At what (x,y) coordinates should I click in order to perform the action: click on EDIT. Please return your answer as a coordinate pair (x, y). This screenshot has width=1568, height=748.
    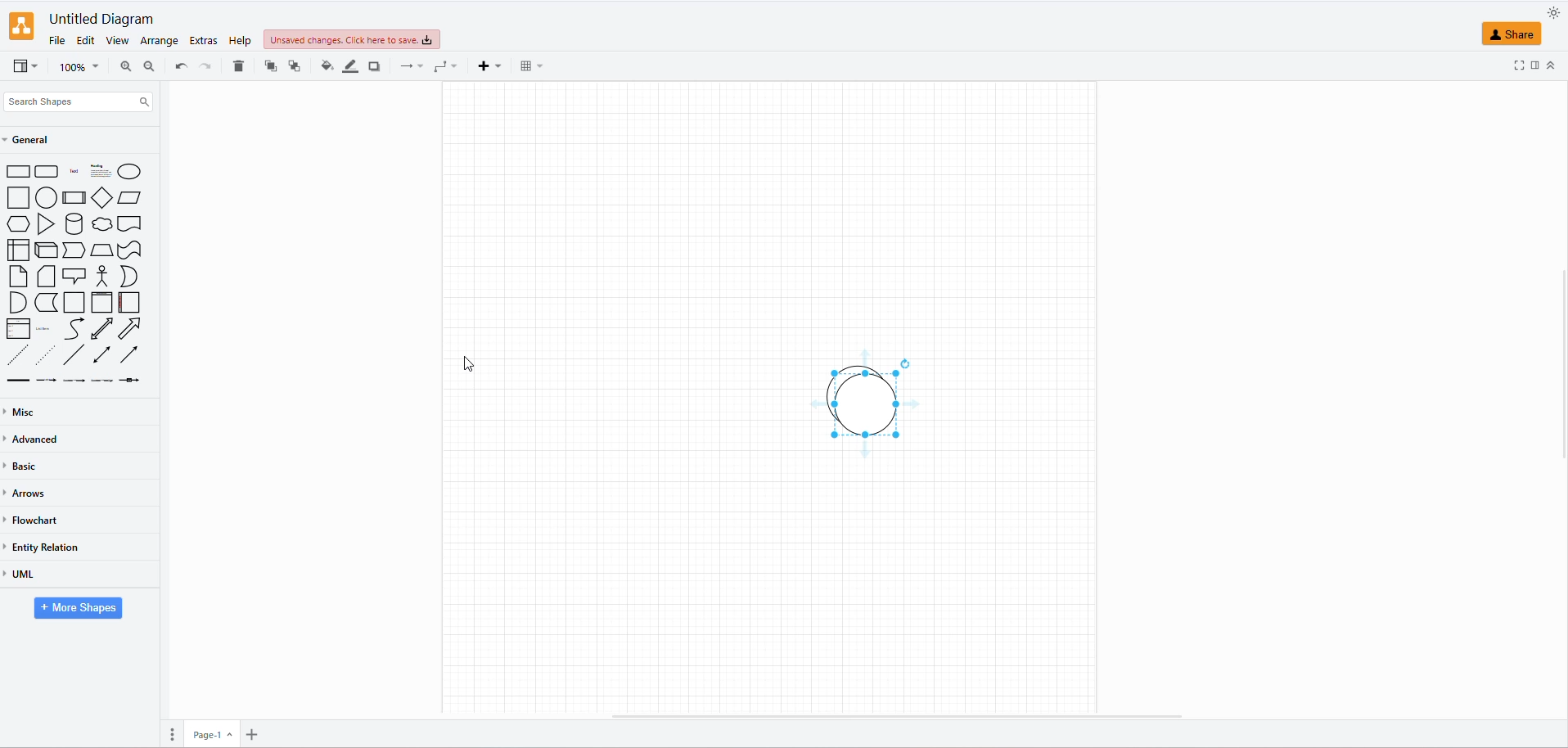
    Looking at the image, I should click on (83, 42).